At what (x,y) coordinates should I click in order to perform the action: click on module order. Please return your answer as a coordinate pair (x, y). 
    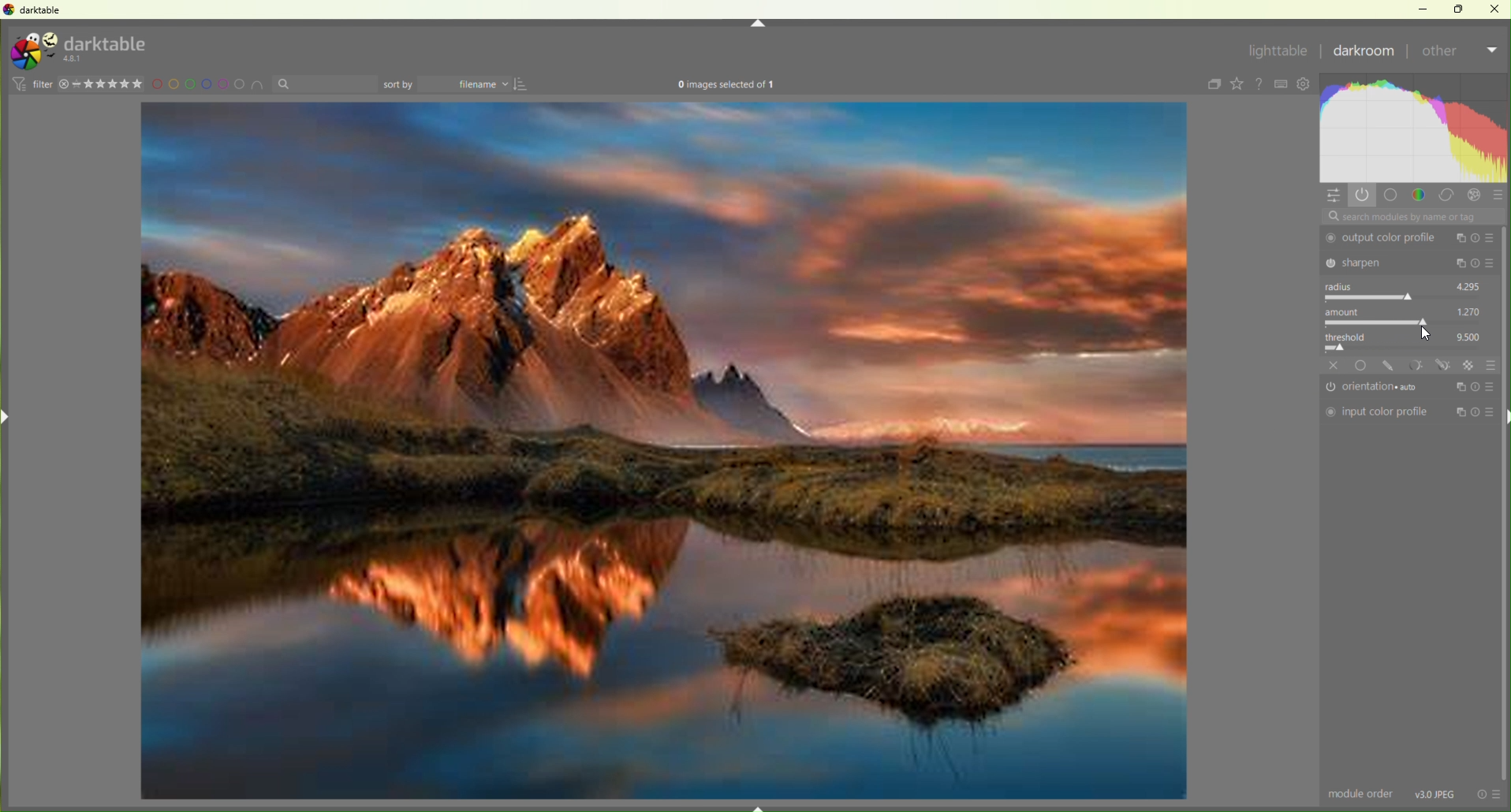
    Looking at the image, I should click on (1362, 795).